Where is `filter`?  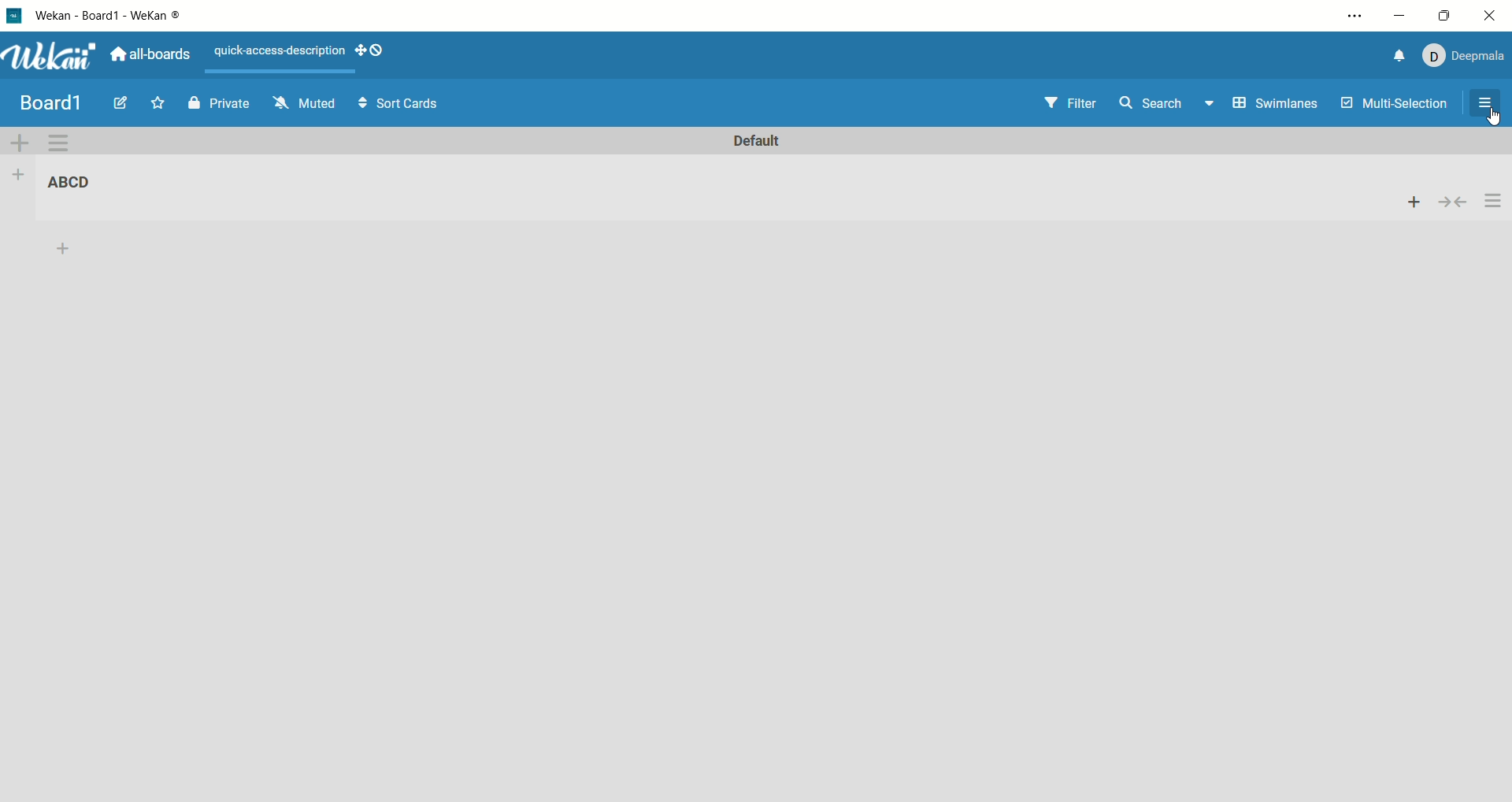 filter is located at coordinates (1069, 102).